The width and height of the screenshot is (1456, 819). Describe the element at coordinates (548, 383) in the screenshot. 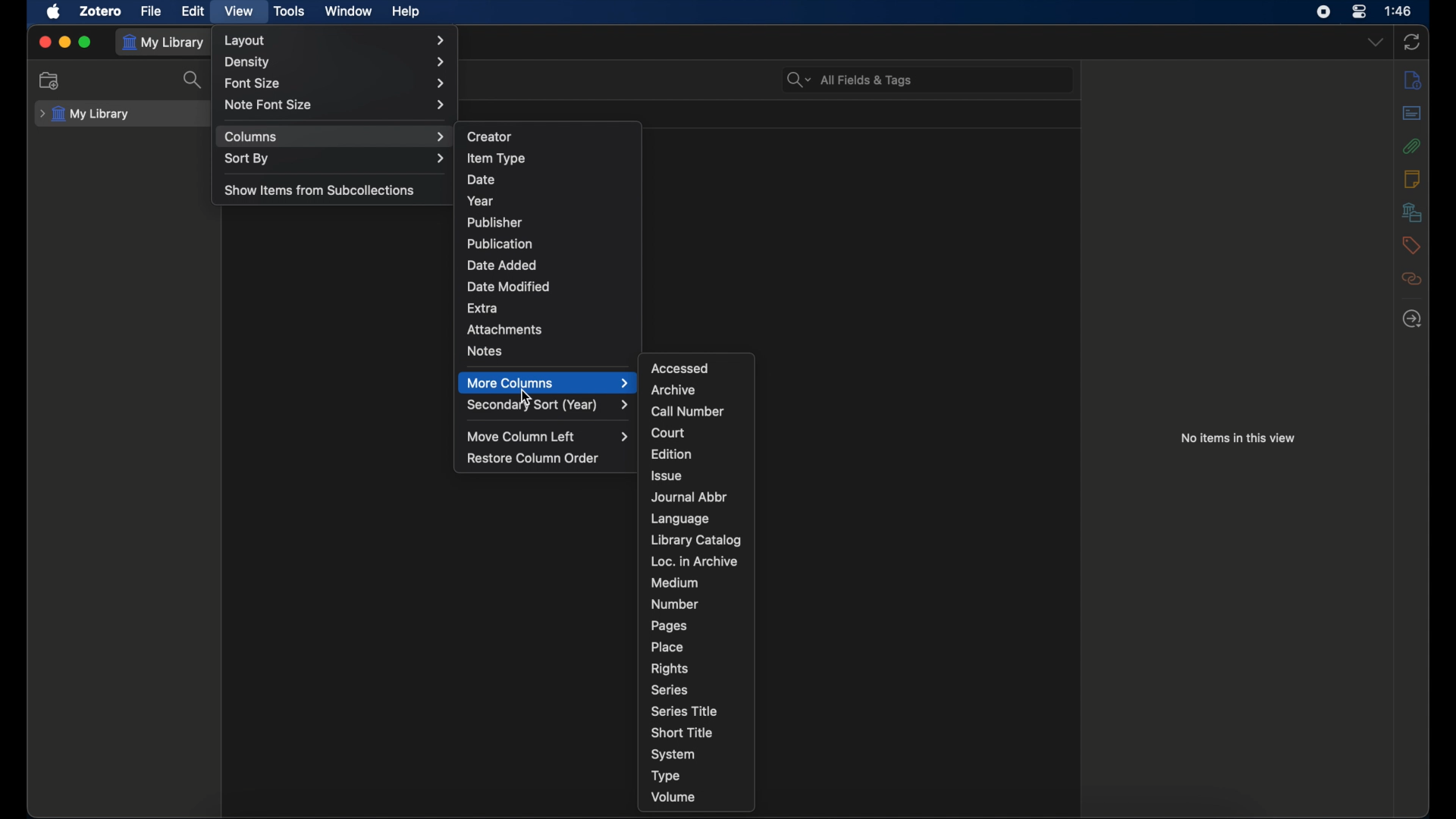

I see `more columns` at that location.